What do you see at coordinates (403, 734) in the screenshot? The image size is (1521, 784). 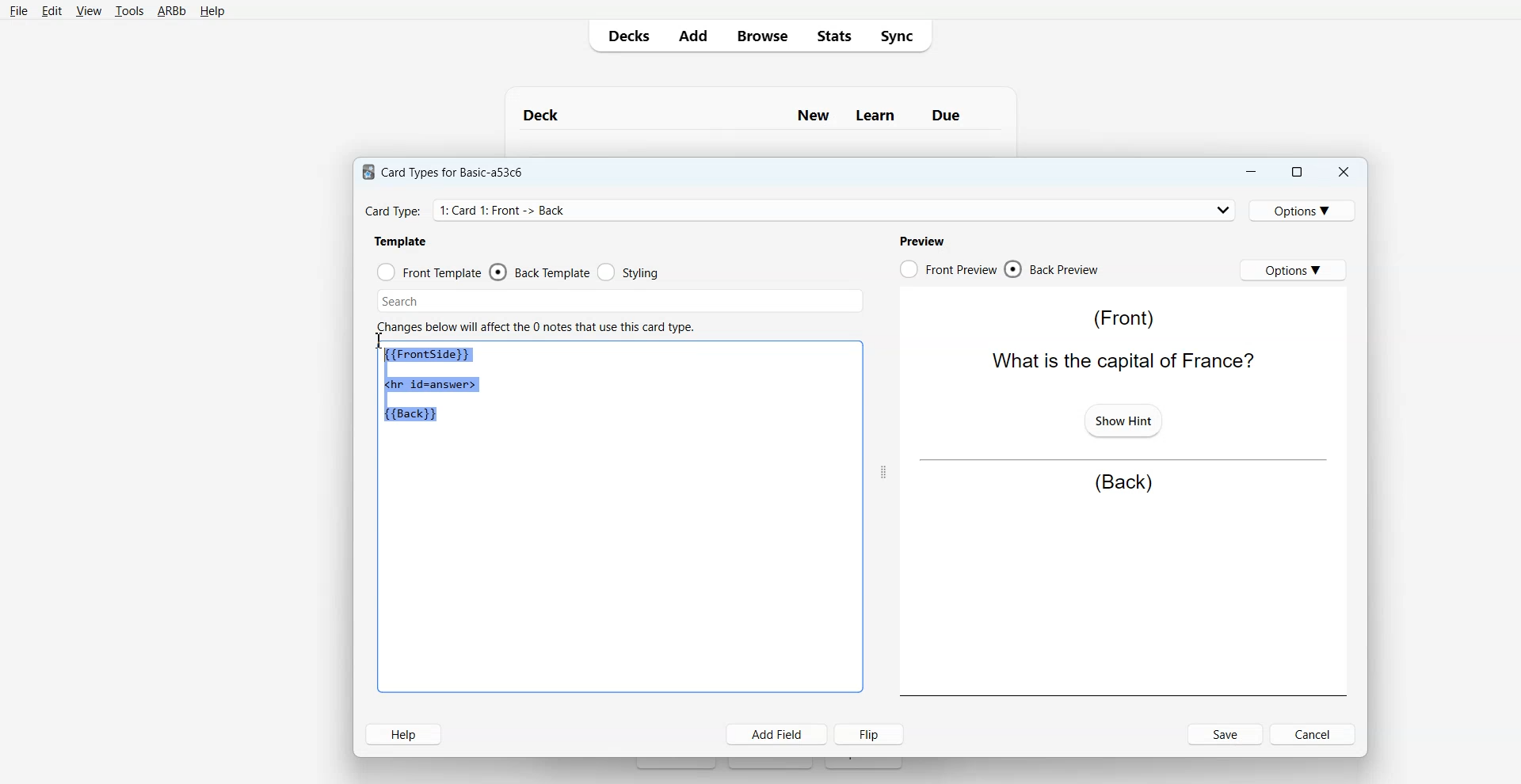 I see `Help` at bounding box center [403, 734].